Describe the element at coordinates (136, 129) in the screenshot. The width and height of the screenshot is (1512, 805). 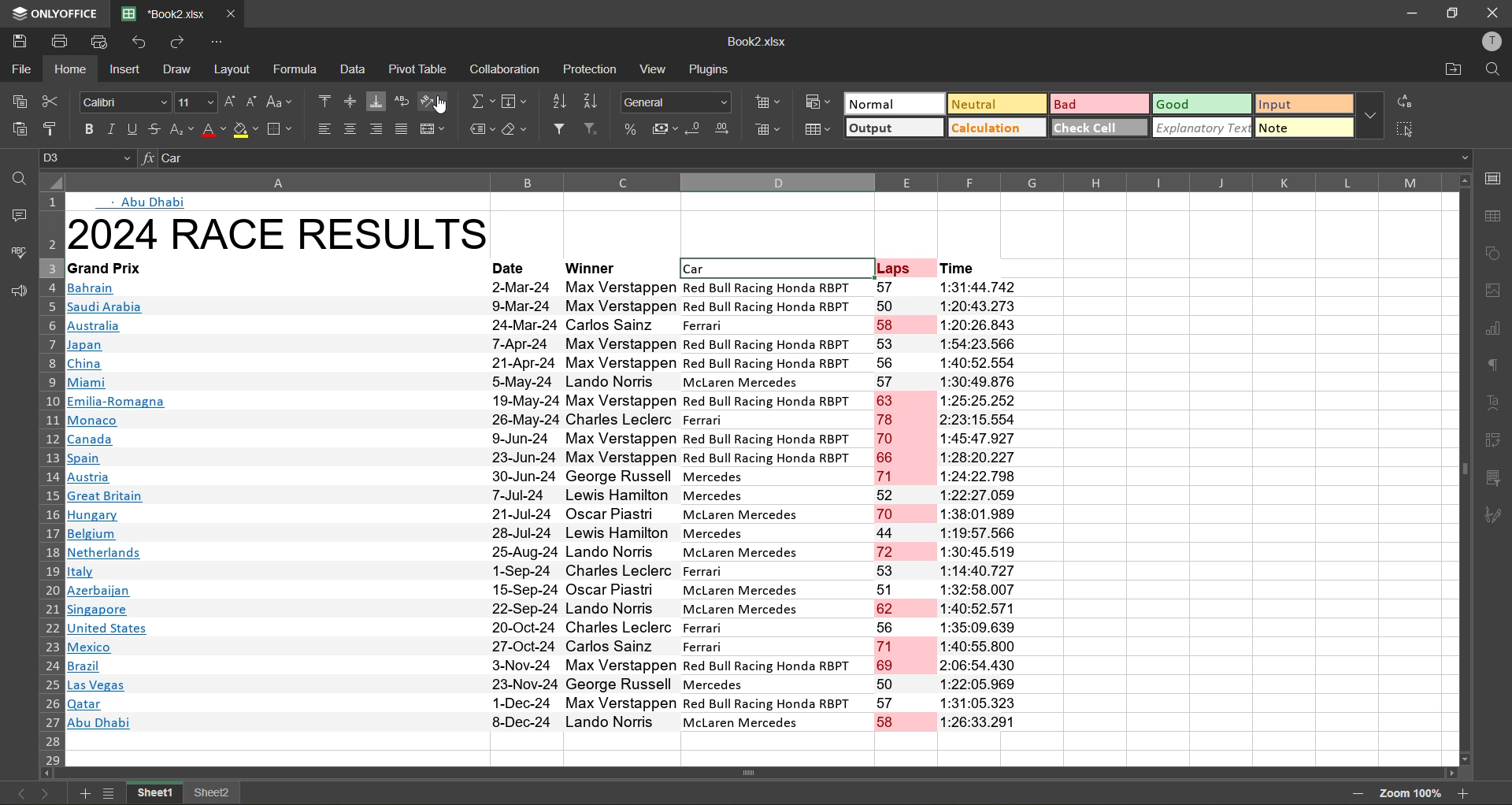
I see `underline` at that location.